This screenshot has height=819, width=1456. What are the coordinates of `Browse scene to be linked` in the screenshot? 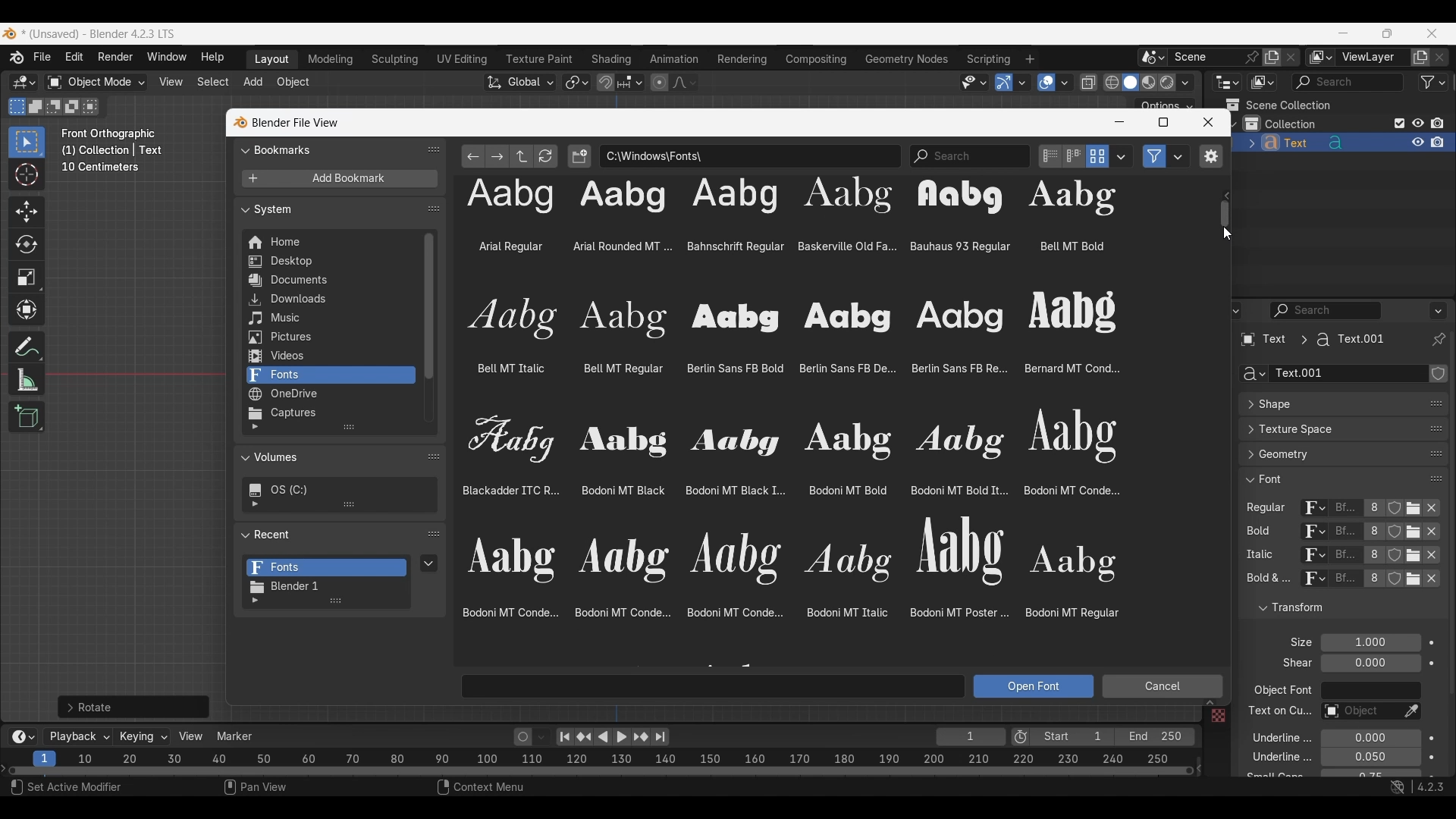 It's located at (1153, 58).